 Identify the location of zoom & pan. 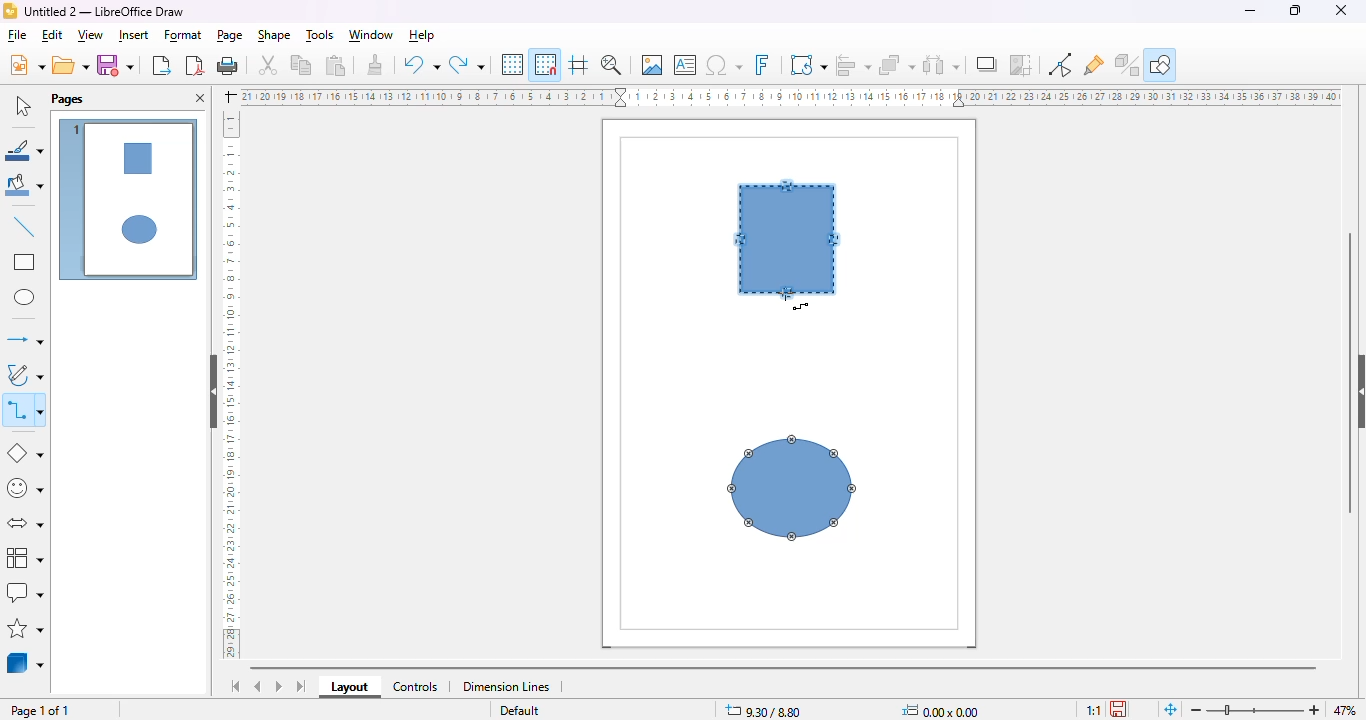
(611, 64).